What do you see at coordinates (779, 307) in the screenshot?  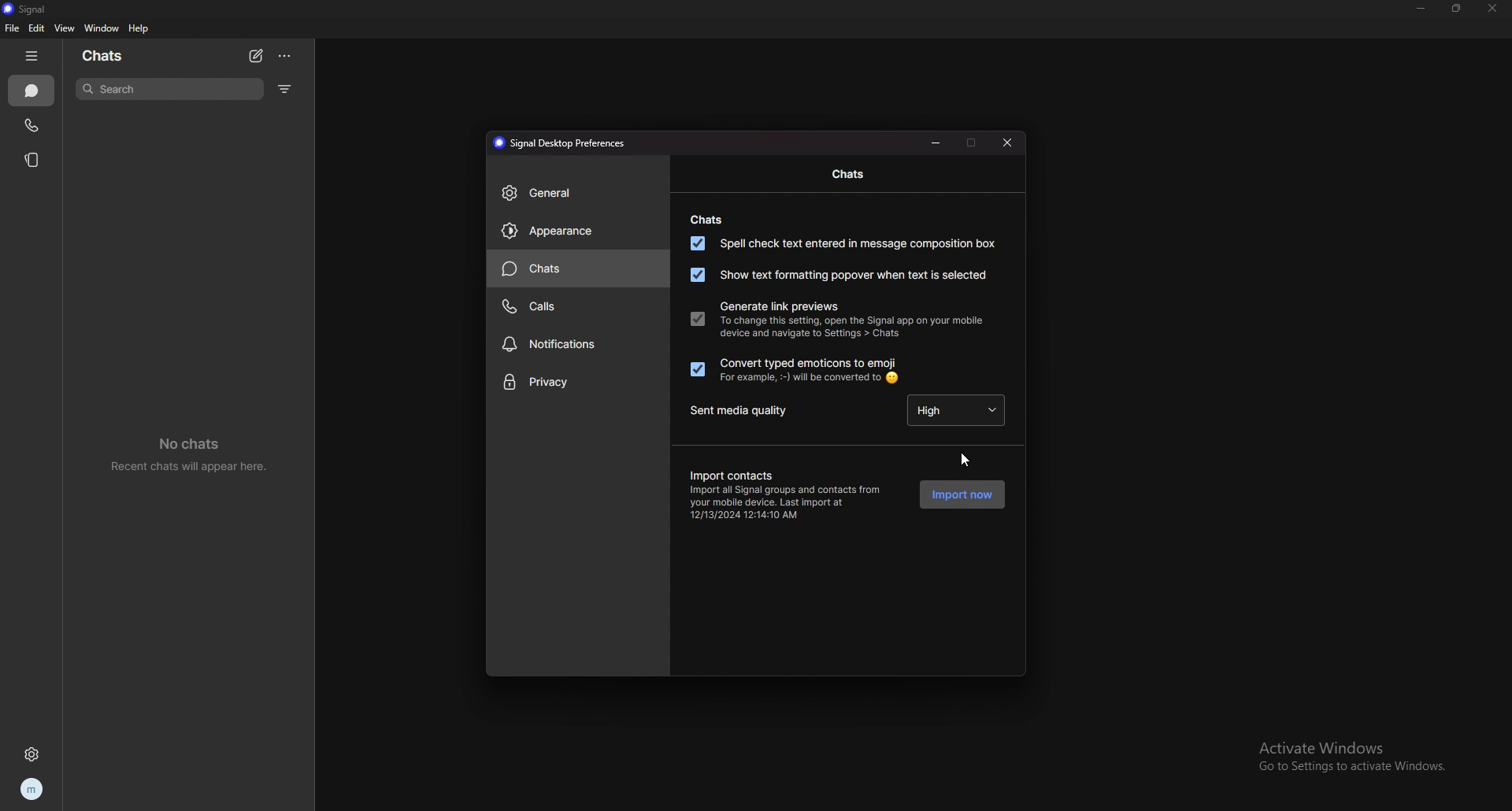 I see `generate link previews ` at bounding box center [779, 307].